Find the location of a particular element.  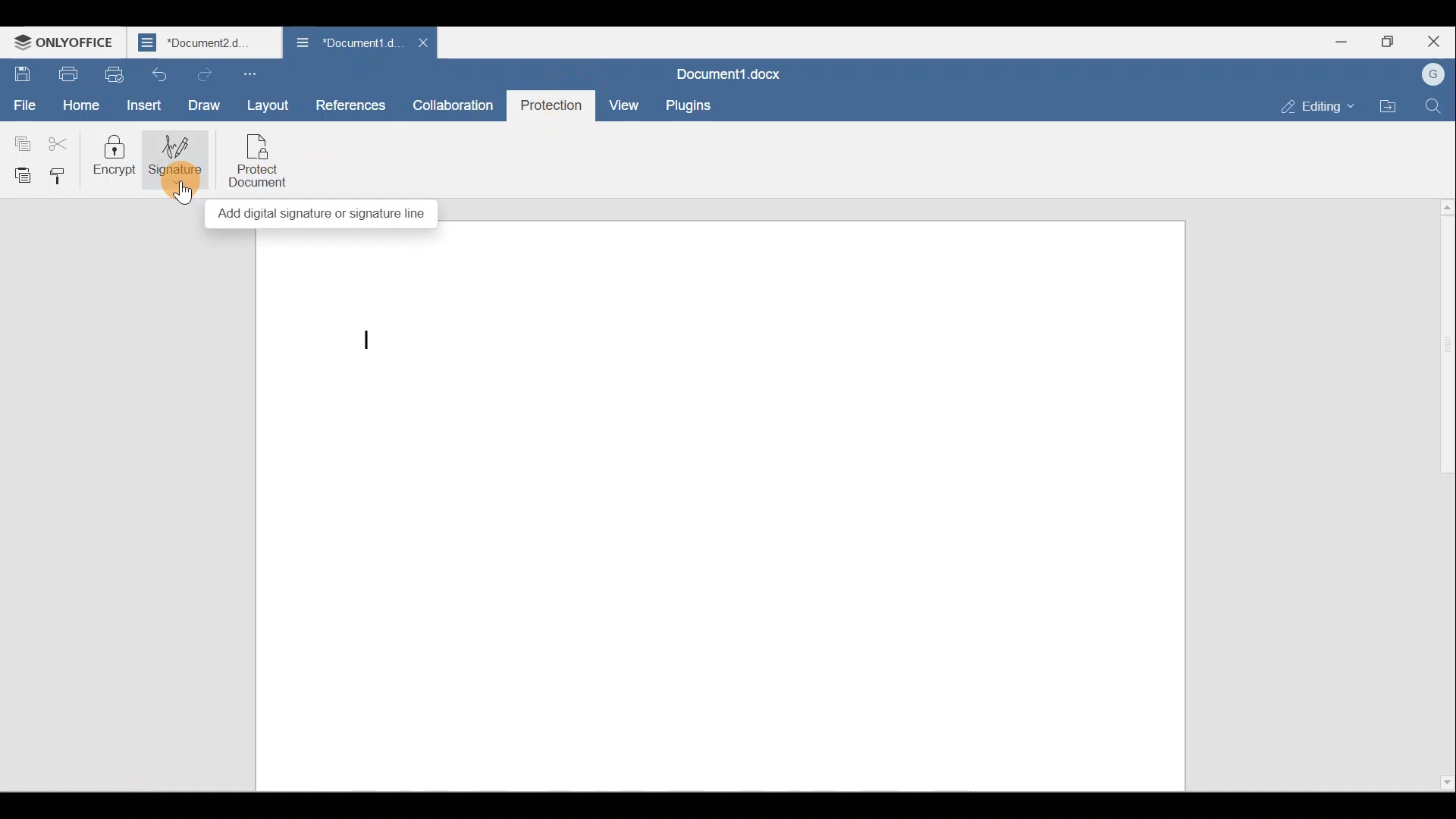

Redo is located at coordinates (202, 74).